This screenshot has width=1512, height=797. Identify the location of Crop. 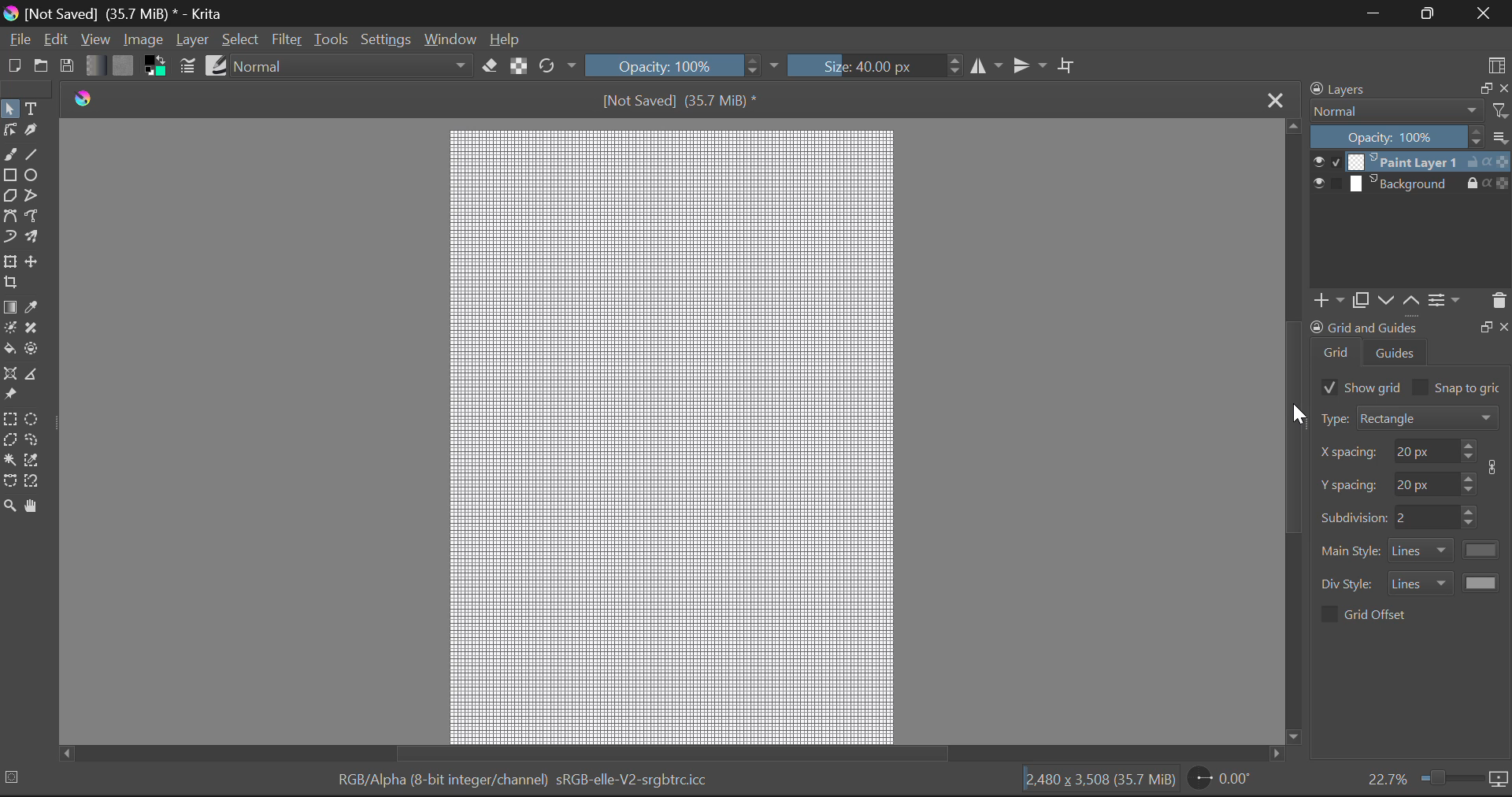
(10, 283).